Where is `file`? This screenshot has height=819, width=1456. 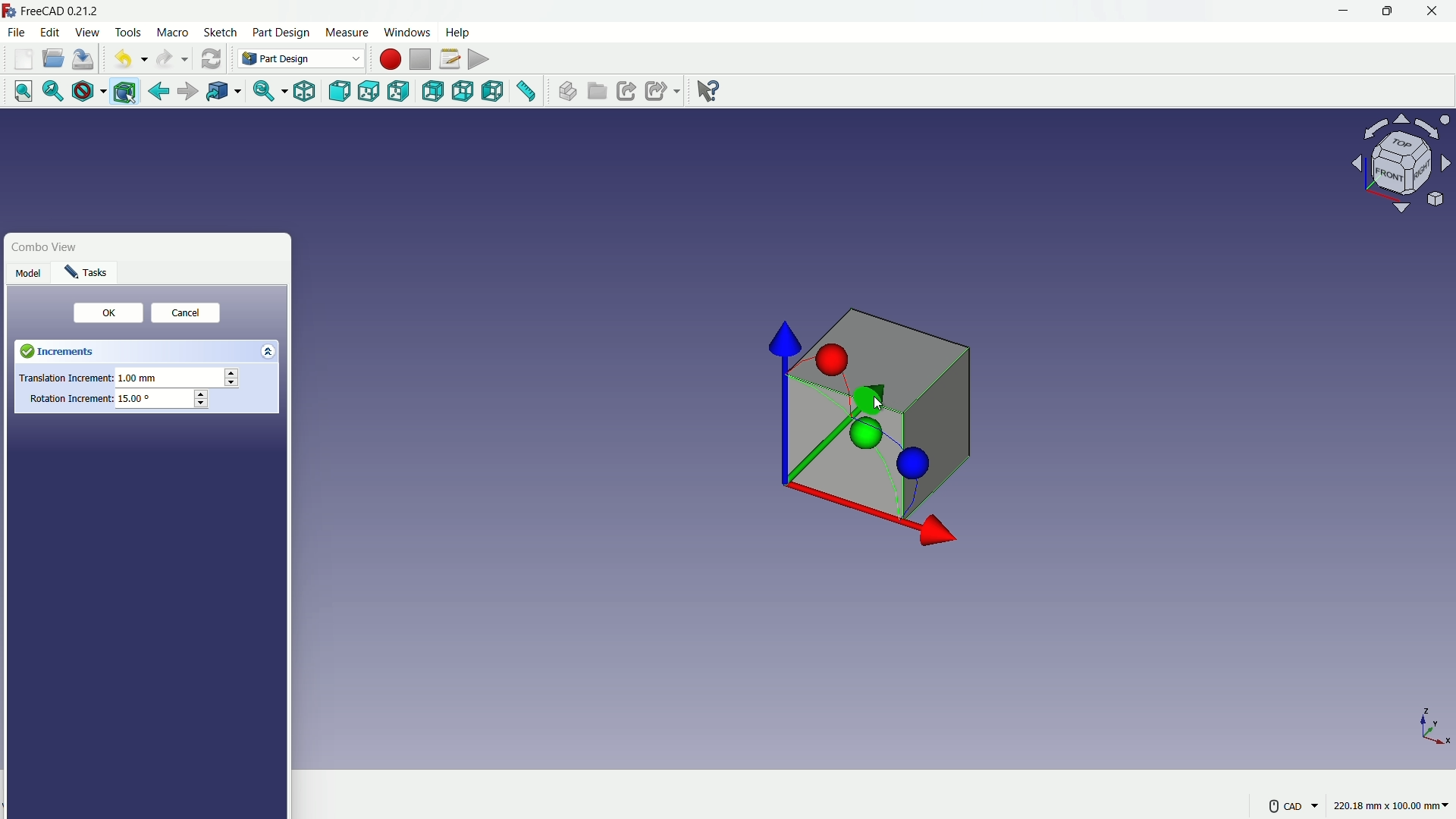 file is located at coordinates (16, 31).